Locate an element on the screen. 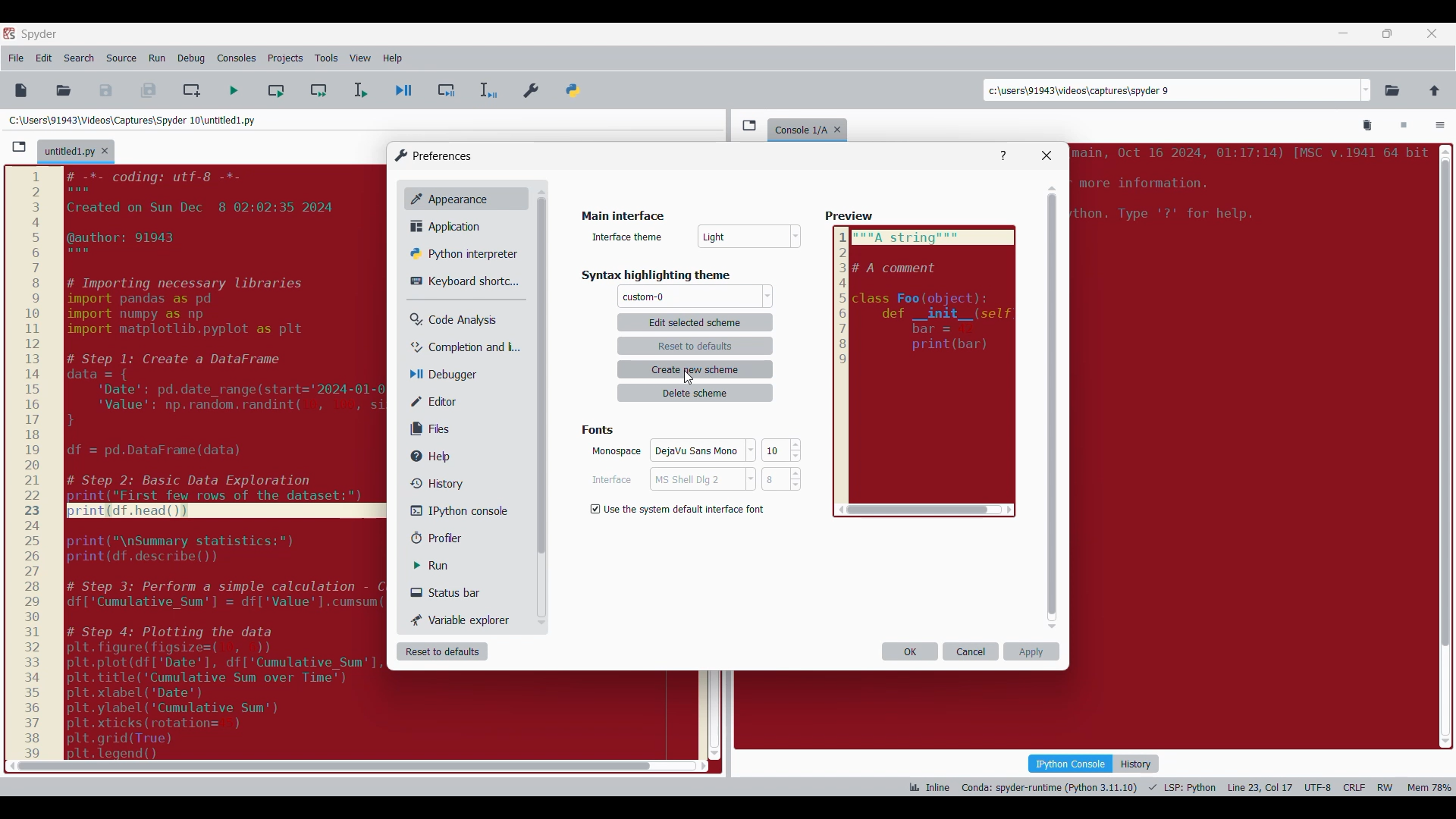 The height and width of the screenshot is (819, 1456). scroll bar is located at coordinates (1443, 442).